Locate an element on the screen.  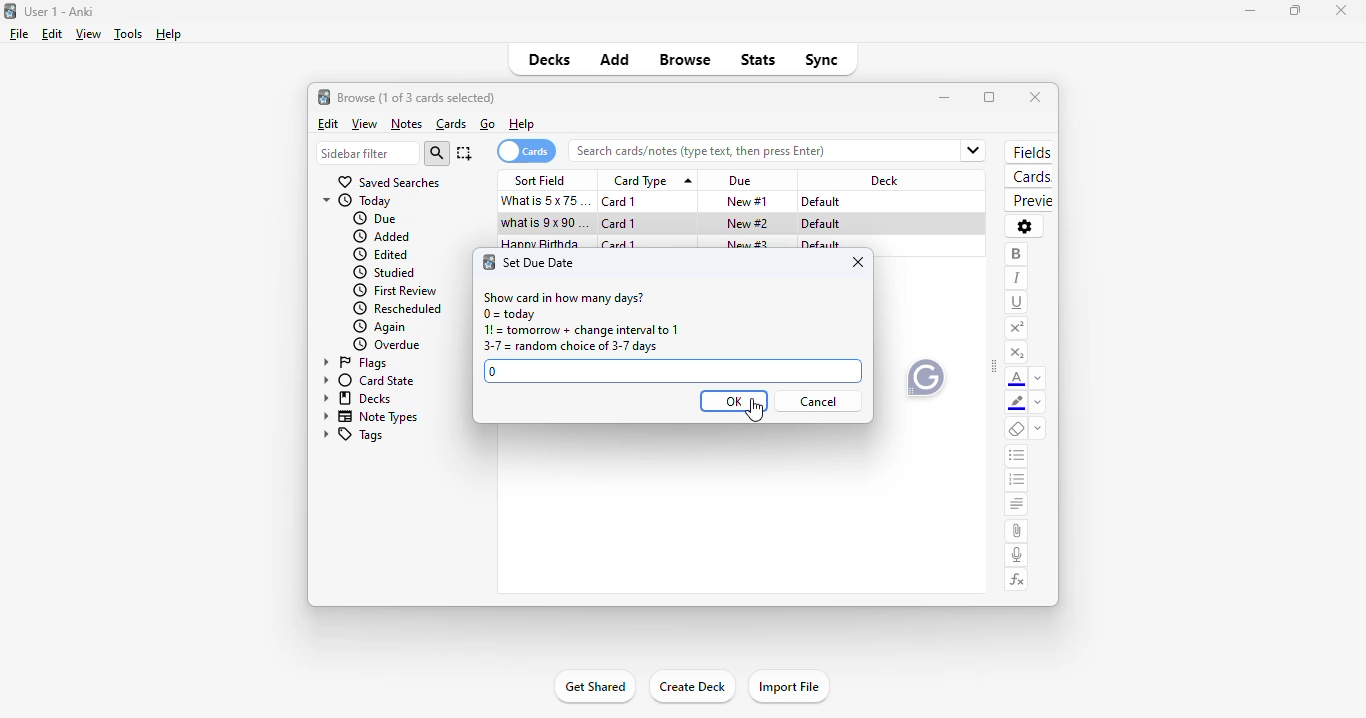
edit is located at coordinates (329, 124).